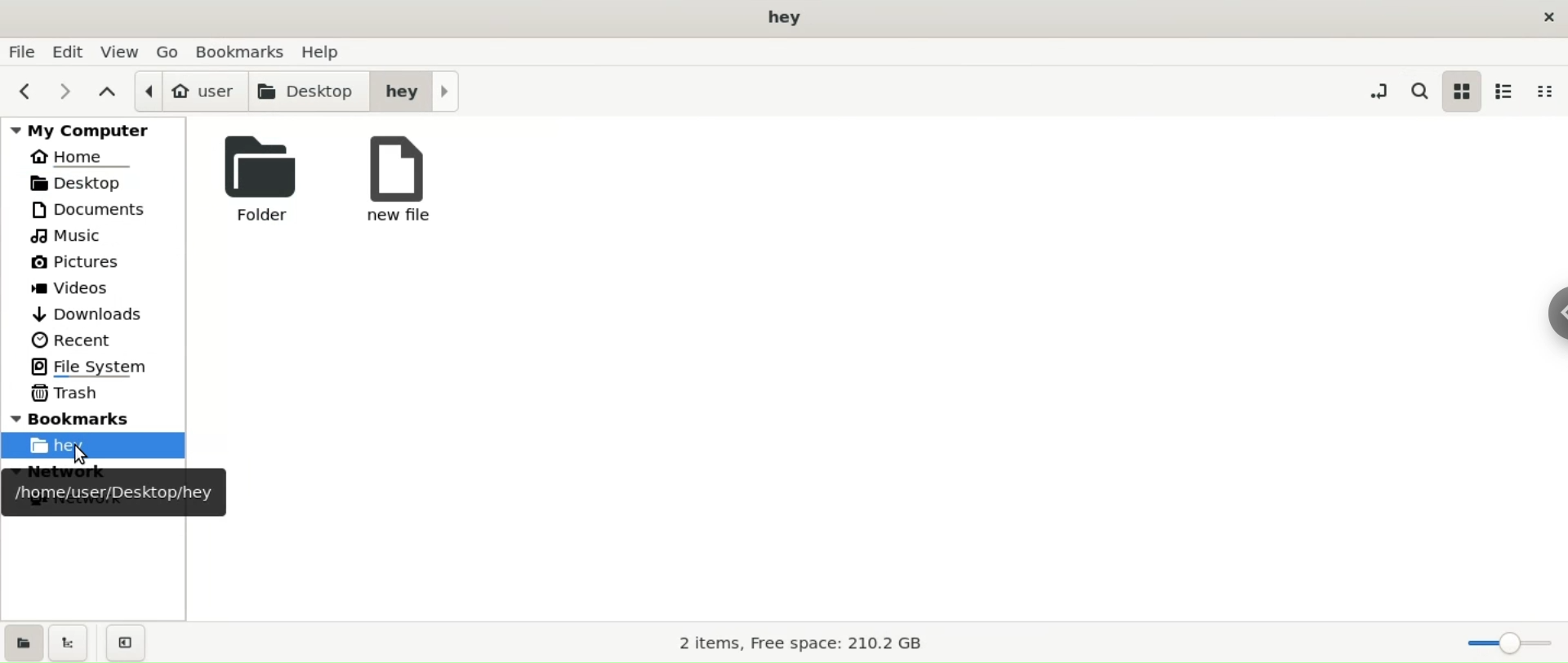 The width and height of the screenshot is (1568, 663). What do you see at coordinates (114, 495) in the screenshot?
I see `location /home/user/desktop/hey` at bounding box center [114, 495].